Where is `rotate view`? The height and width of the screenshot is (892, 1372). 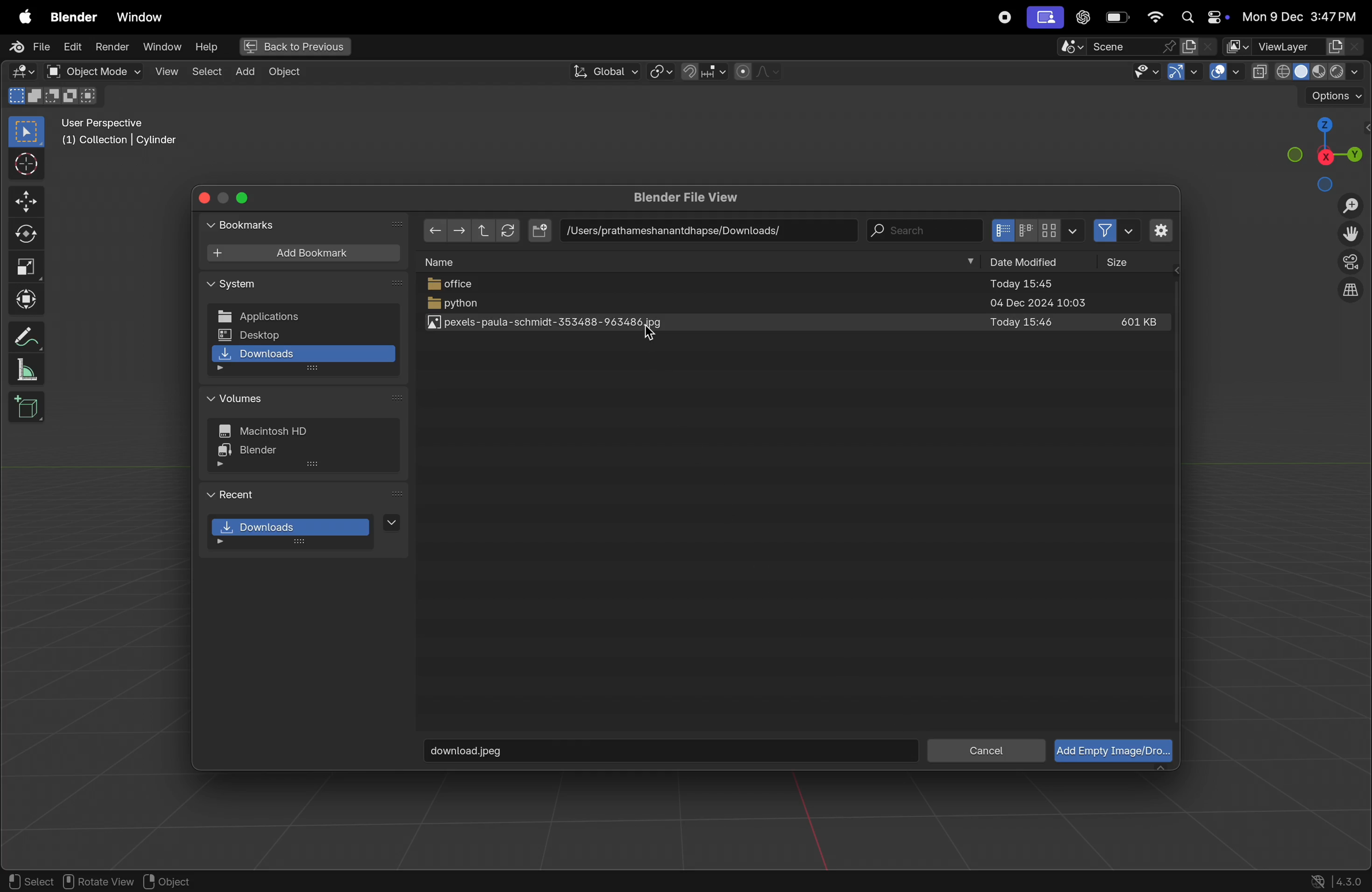 rotate view is located at coordinates (101, 882).